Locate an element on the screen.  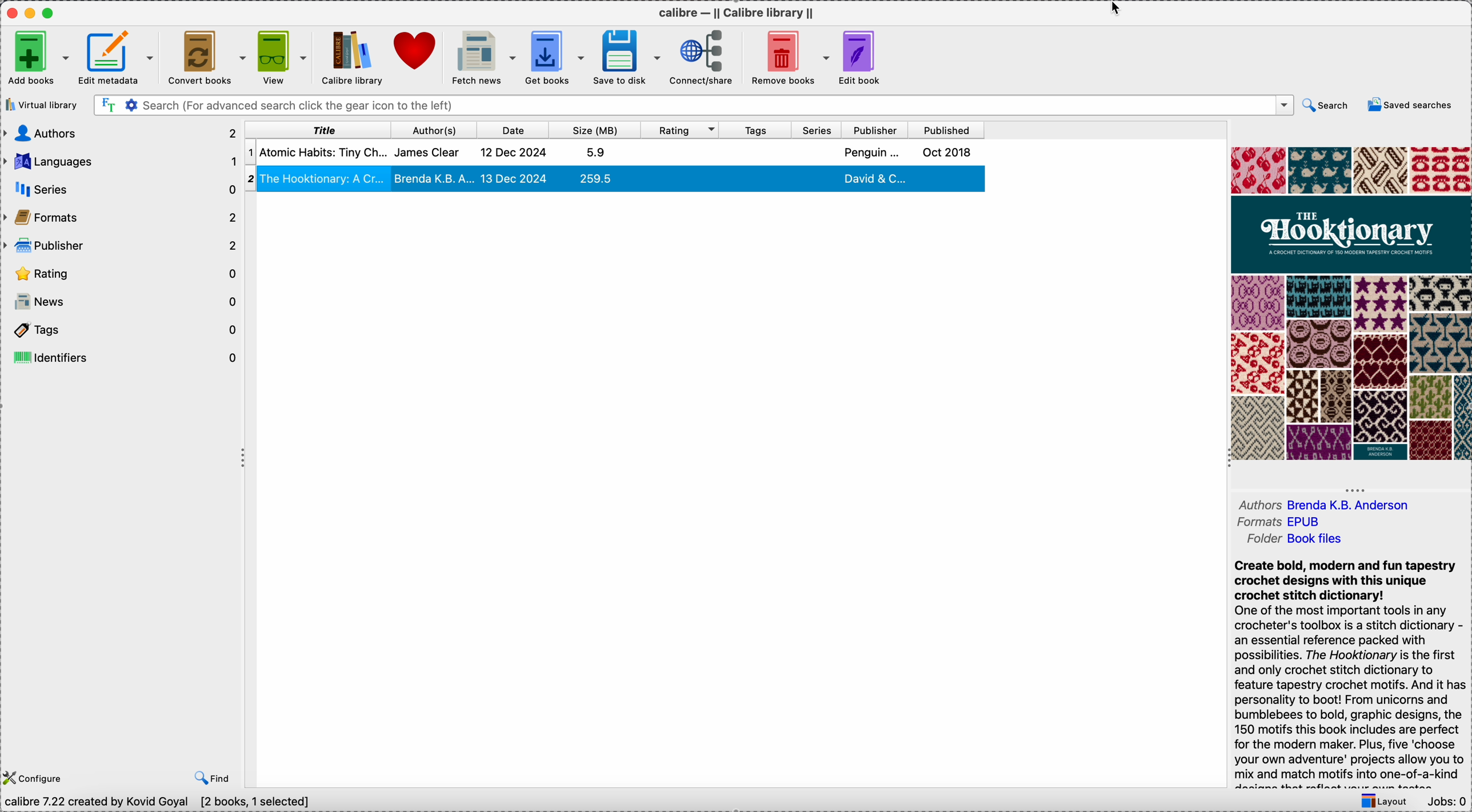
save to disk is located at coordinates (628, 58).